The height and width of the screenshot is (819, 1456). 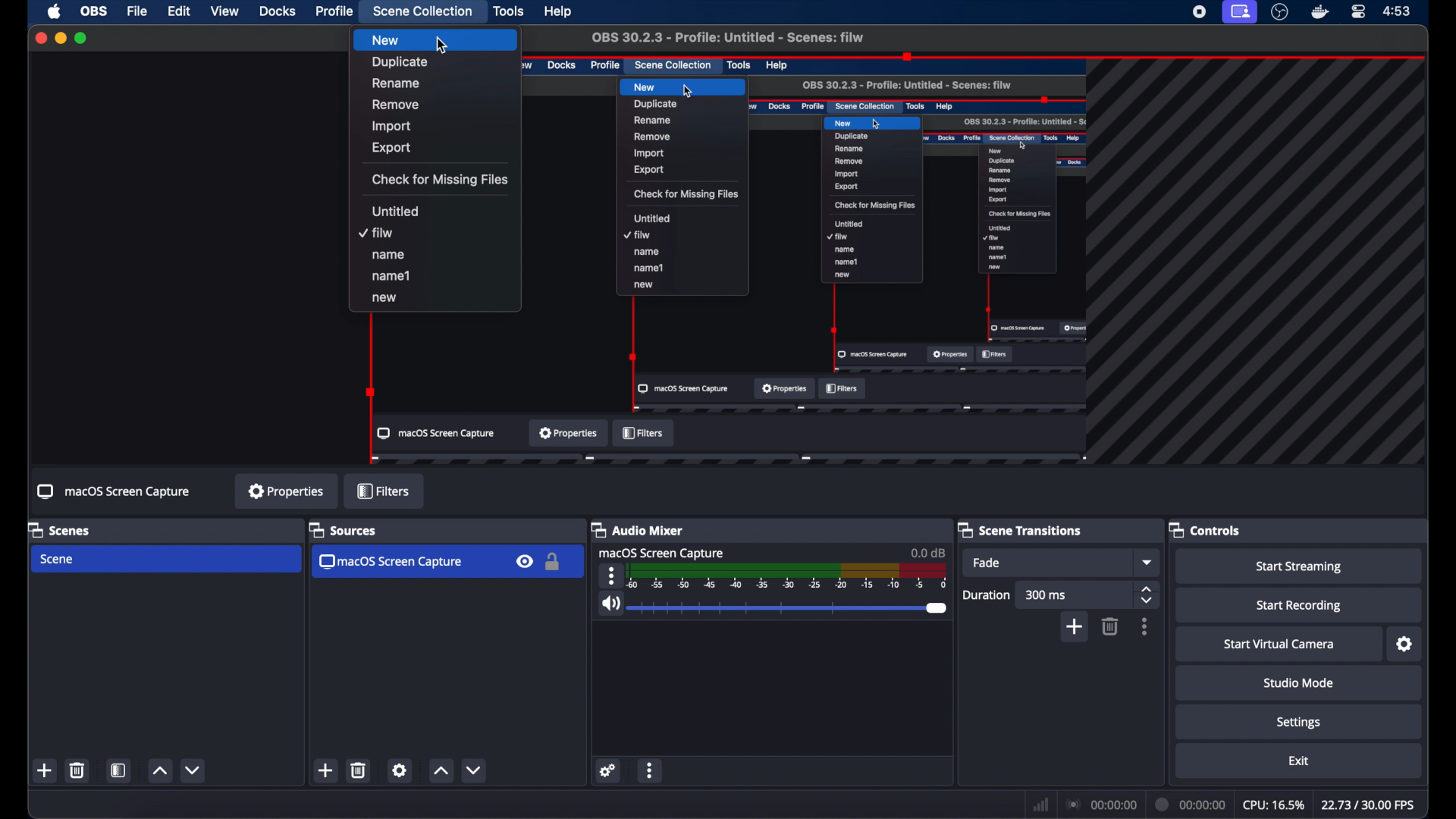 I want to click on new , so click(x=43, y=770).